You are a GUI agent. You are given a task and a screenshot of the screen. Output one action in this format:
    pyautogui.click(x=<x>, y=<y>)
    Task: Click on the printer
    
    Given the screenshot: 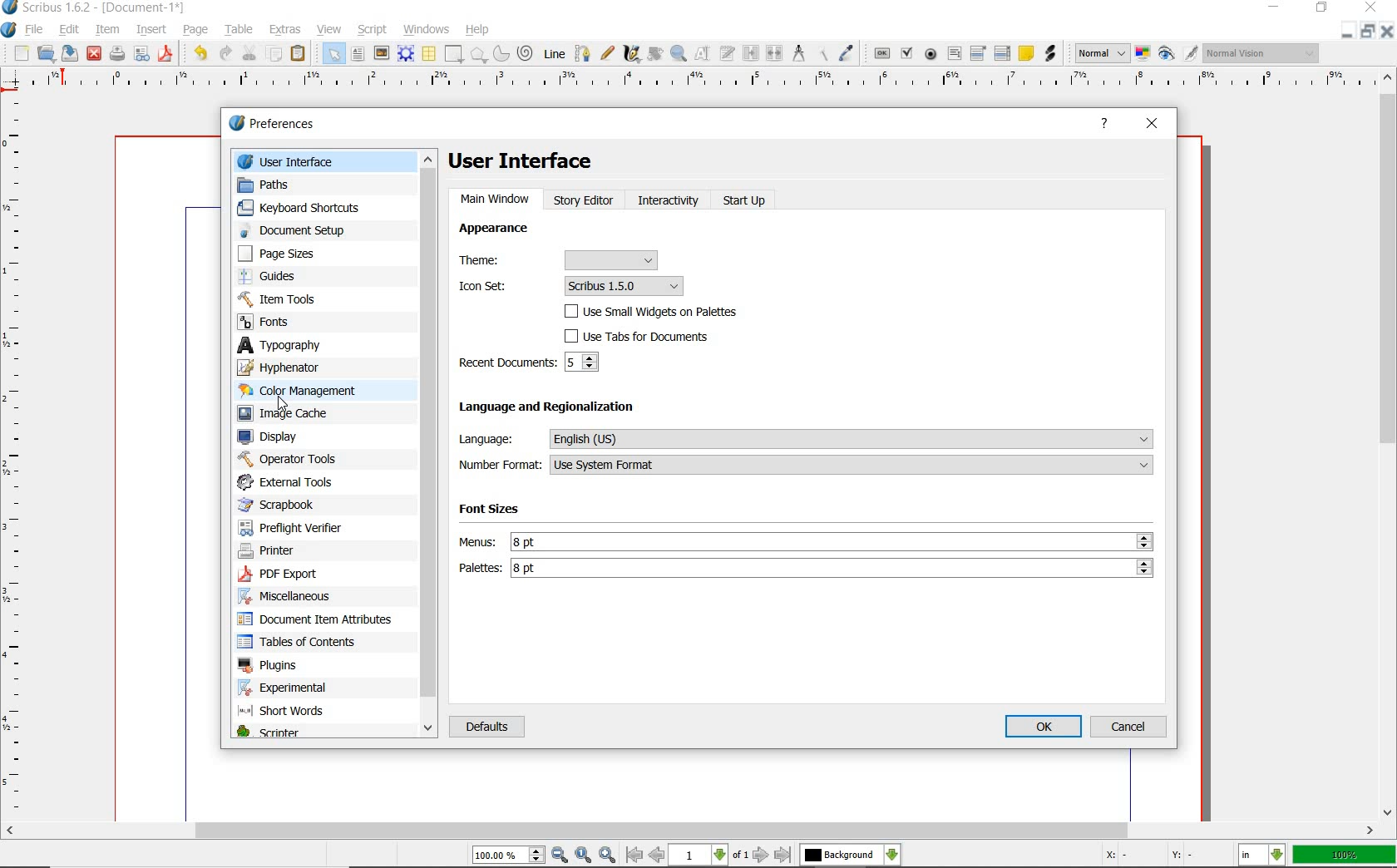 What is the action you would take?
    pyautogui.click(x=284, y=552)
    